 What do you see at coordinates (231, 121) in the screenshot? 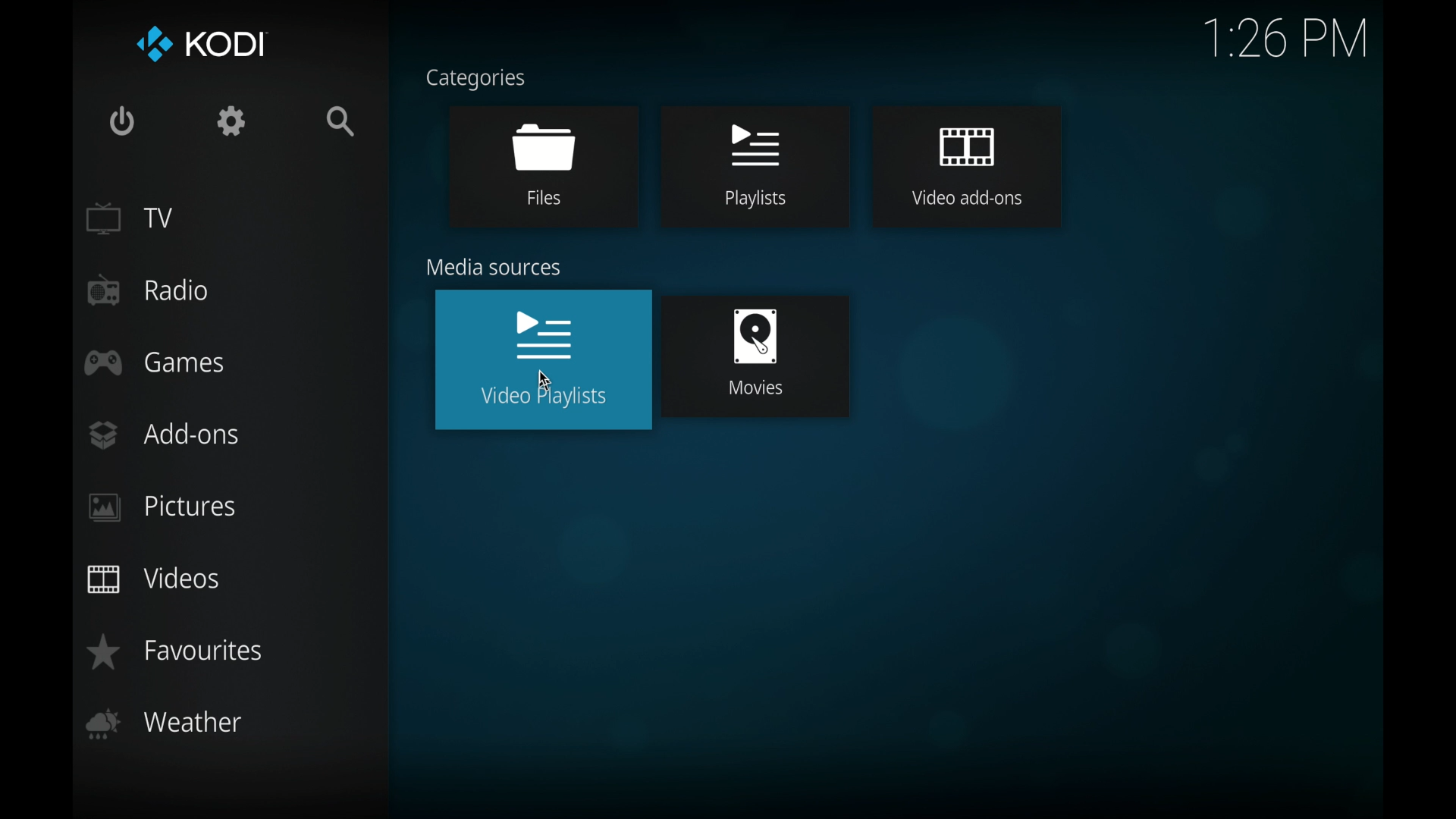
I see `settings` at bounding box center [231, 121].